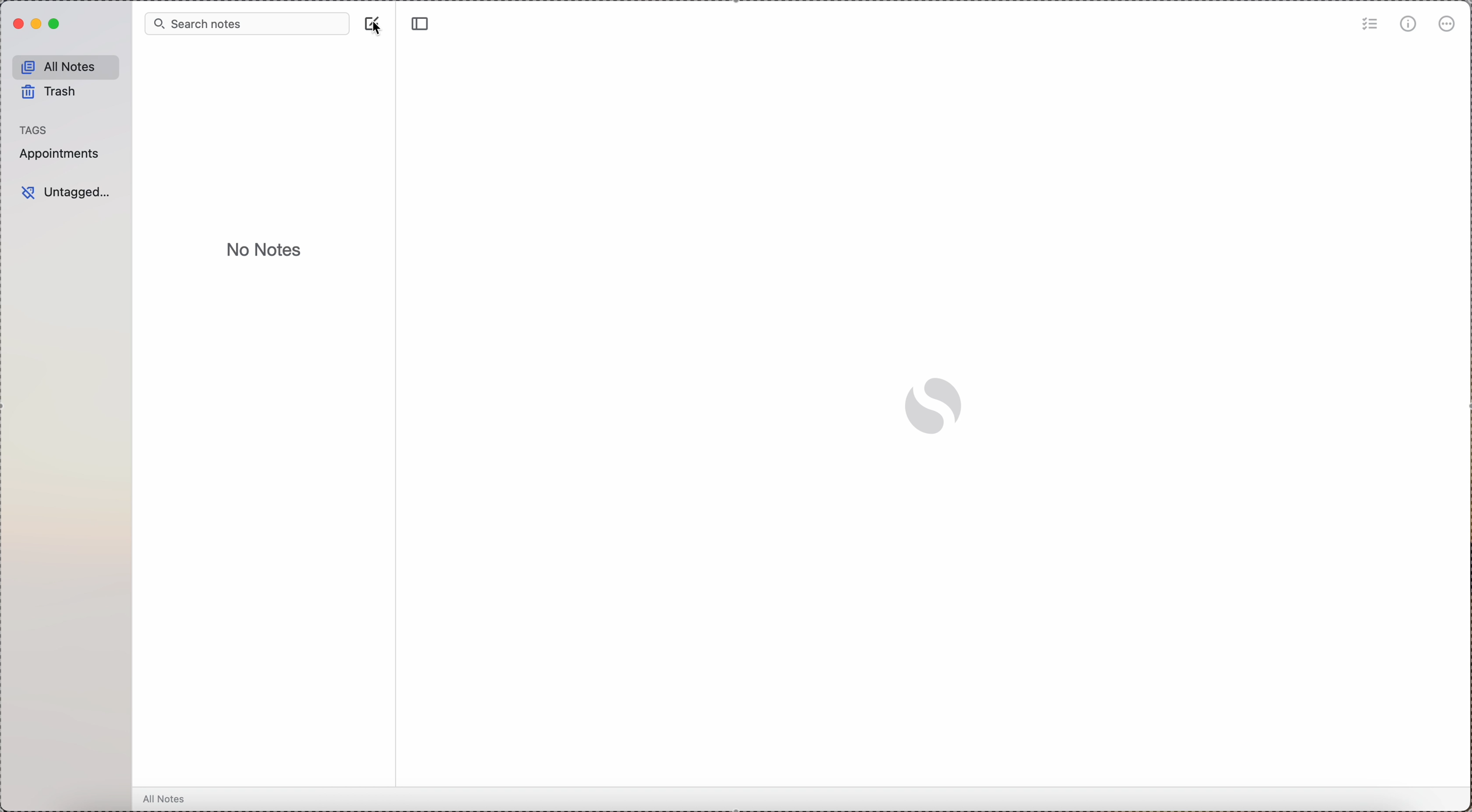  What do you see at coordinates (1369, 24) in the screenshot?
I see `check list` at bounding box center [1369, 24].